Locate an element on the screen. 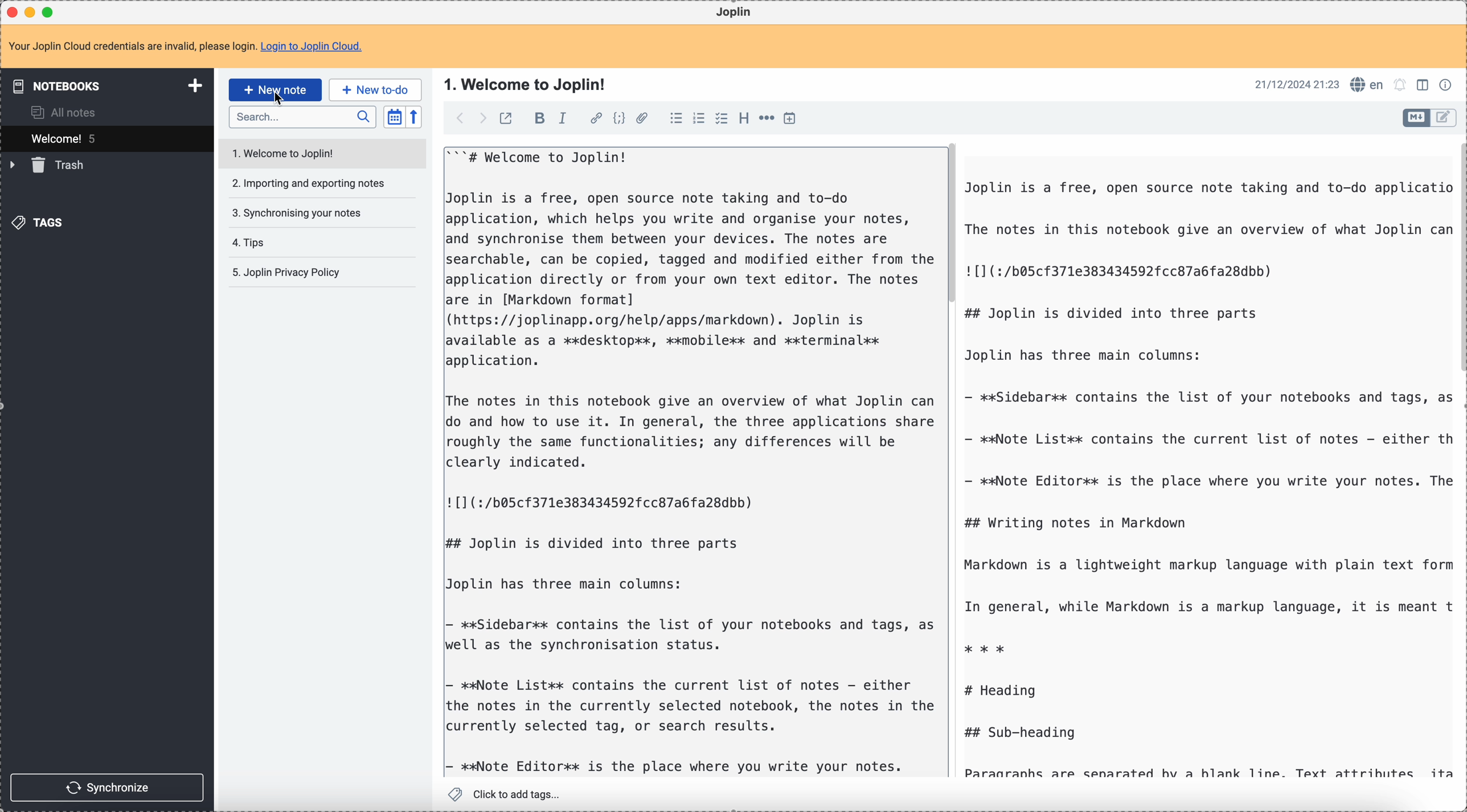  note properties is located at coordinates (1448, 84).